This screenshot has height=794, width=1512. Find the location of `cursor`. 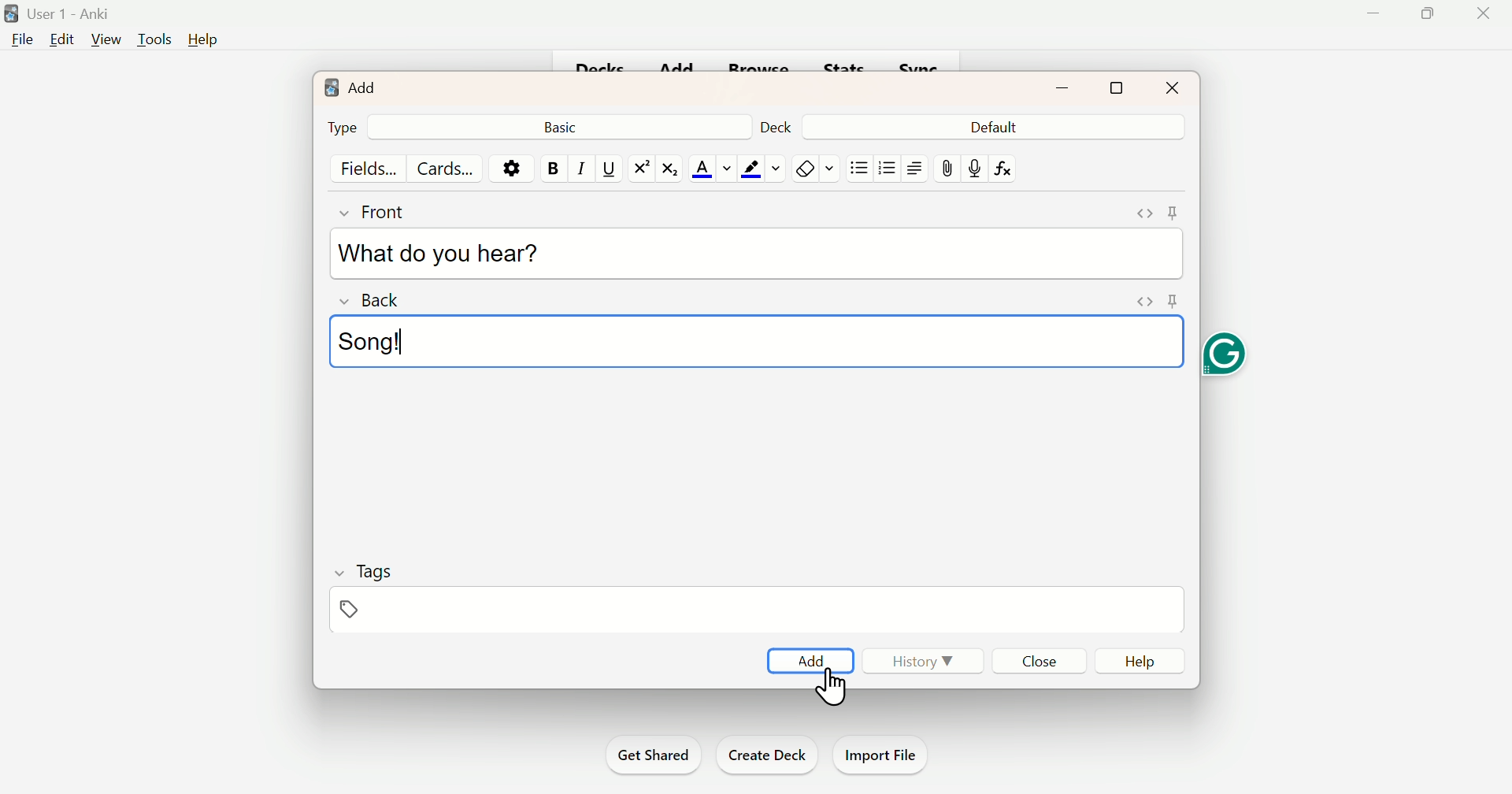

cursor is located at coordinates (831, 697).